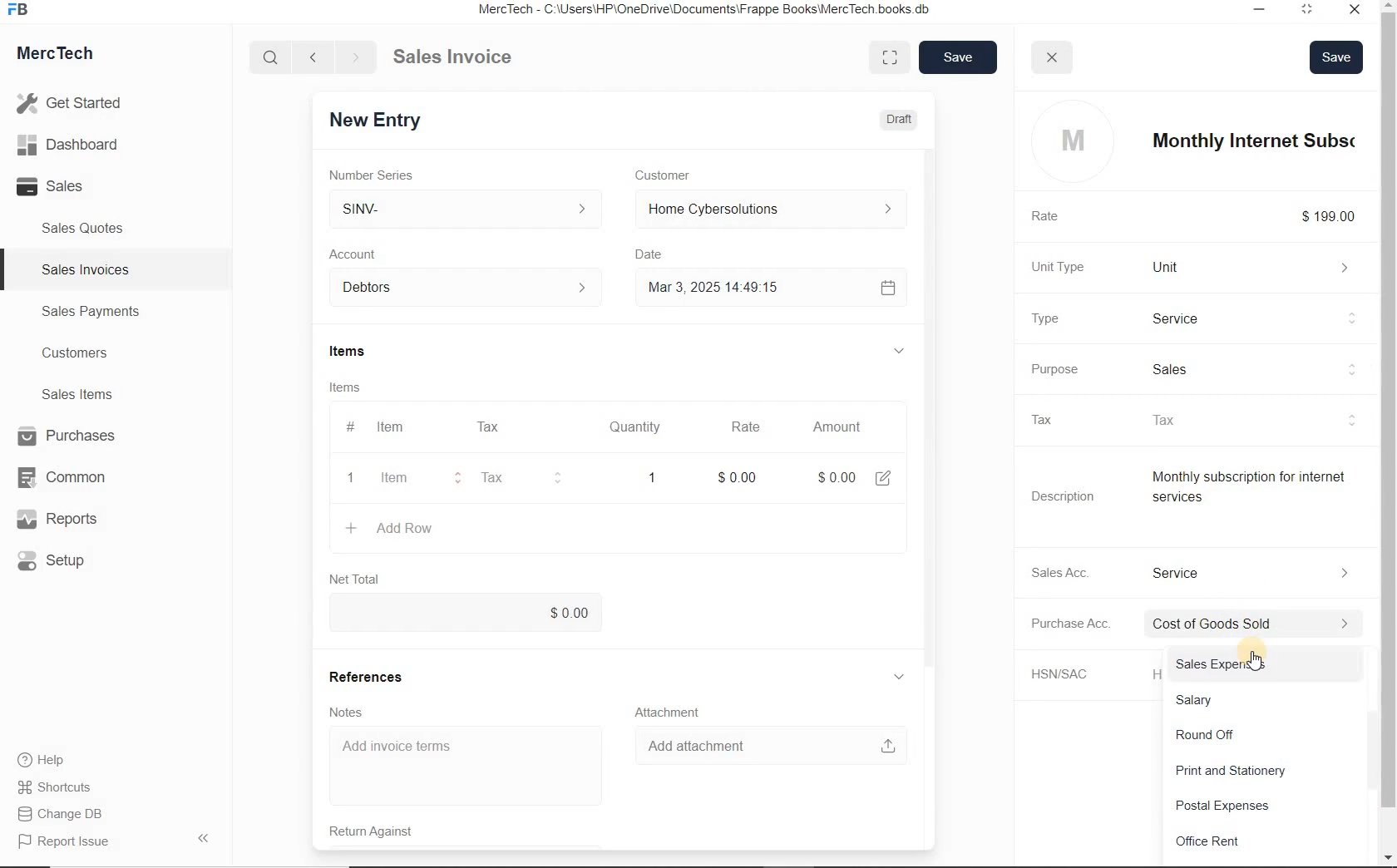 This screenshot has height=868, width=1397. Describe the element at coordinates (69, 476) in the screenshot. I see `Common` at that location.